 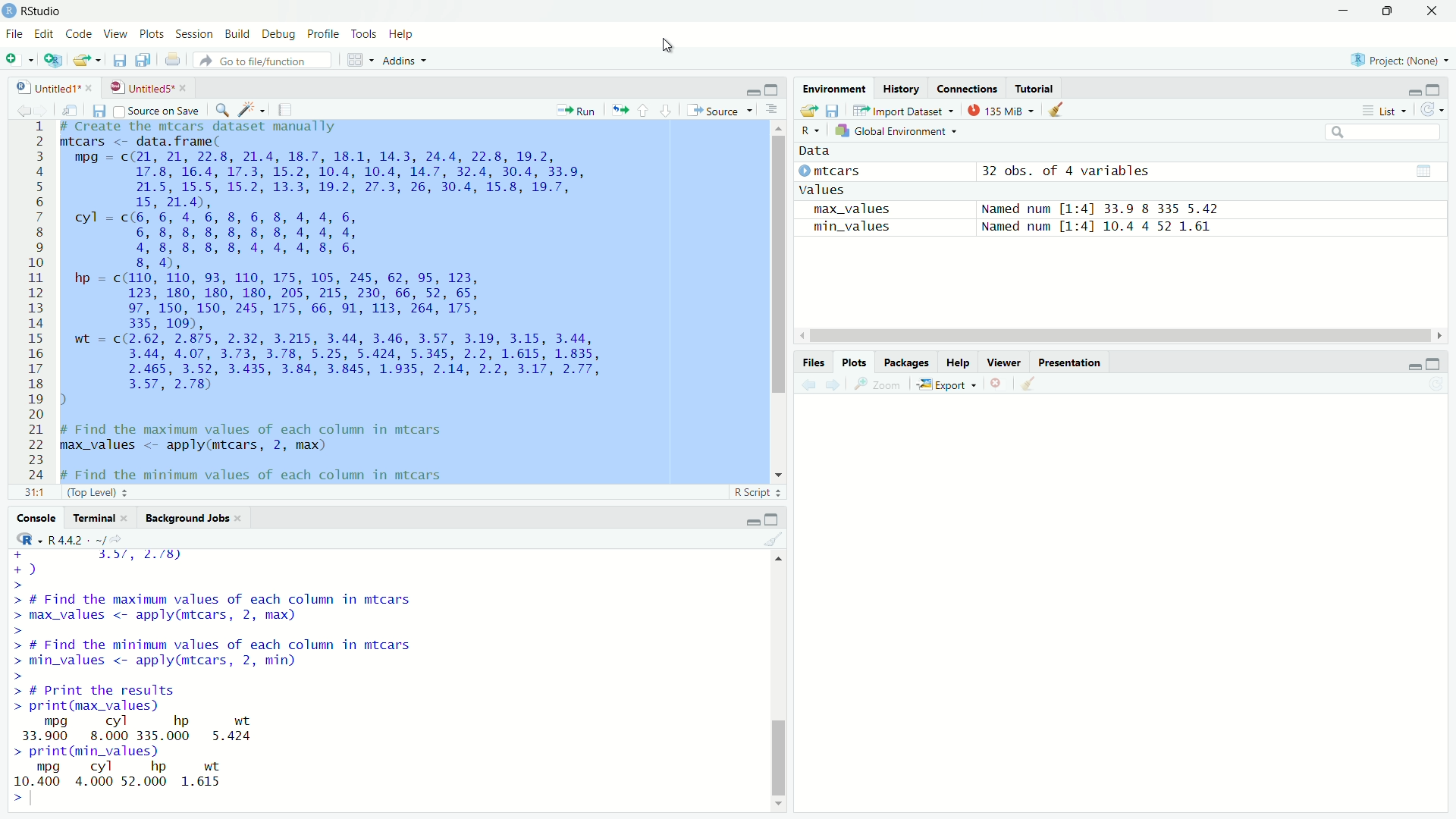 I want to click on $ Go to file/function, so click(x=257, y=61).